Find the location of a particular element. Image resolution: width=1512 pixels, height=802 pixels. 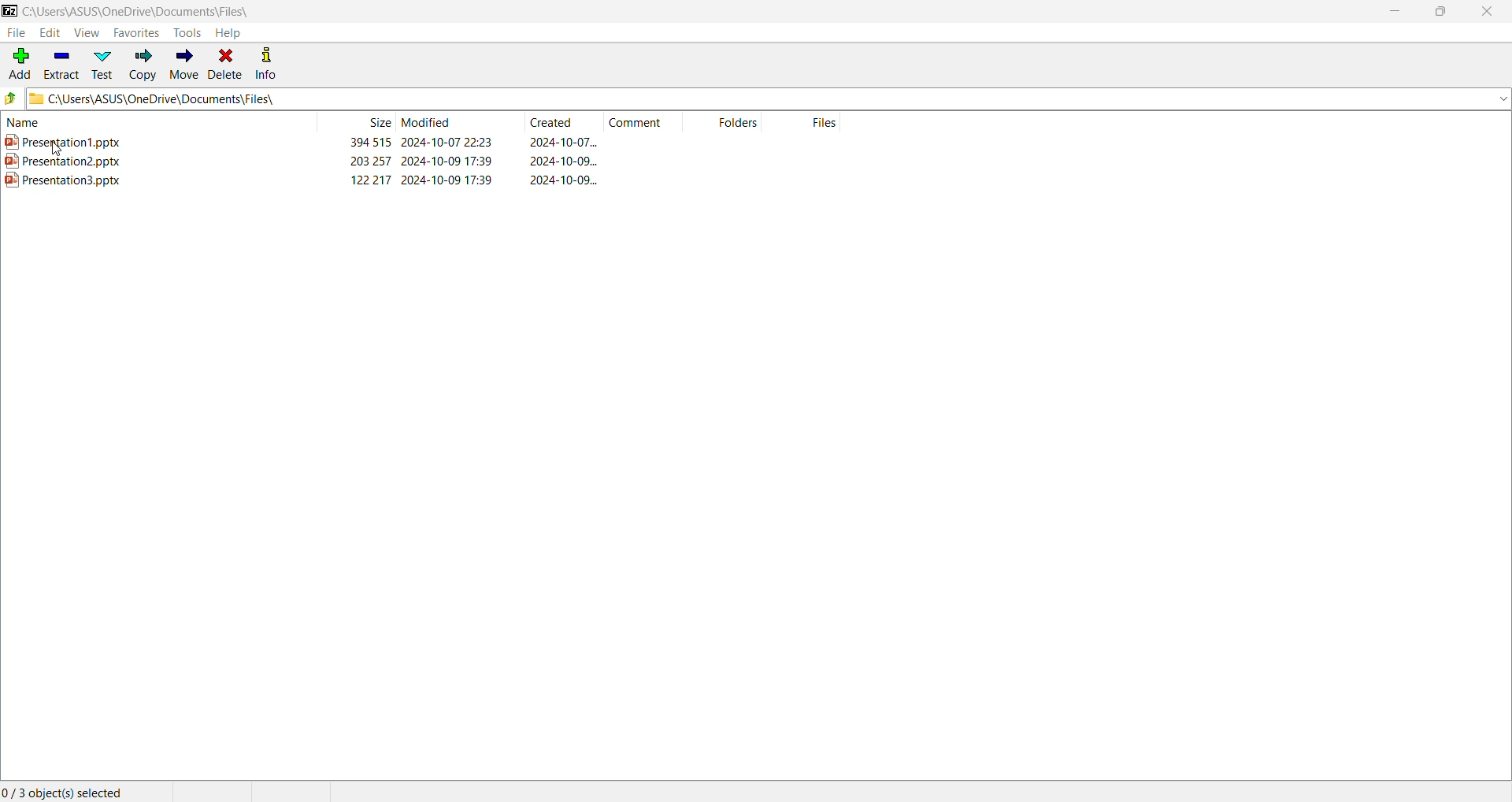

Folders is located at coordinates (745, 124).